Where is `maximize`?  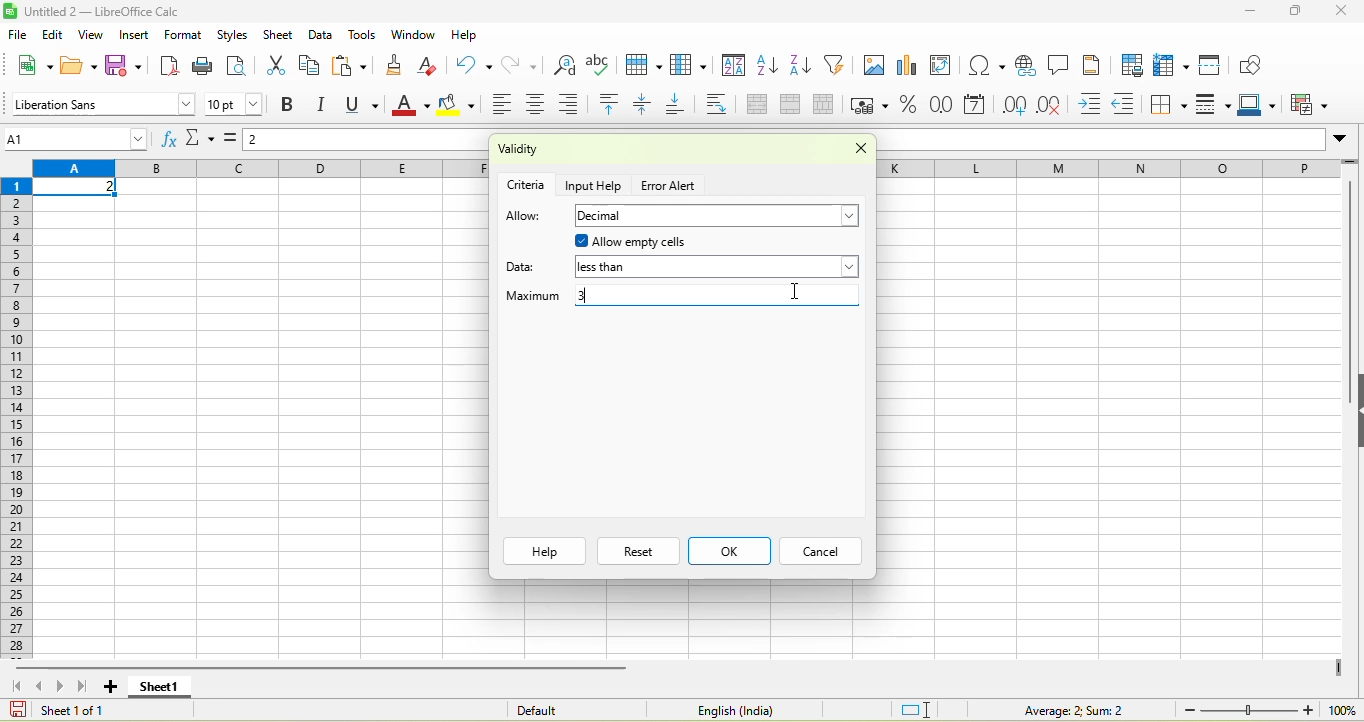 maximize is located at coordinates (1298, 12).